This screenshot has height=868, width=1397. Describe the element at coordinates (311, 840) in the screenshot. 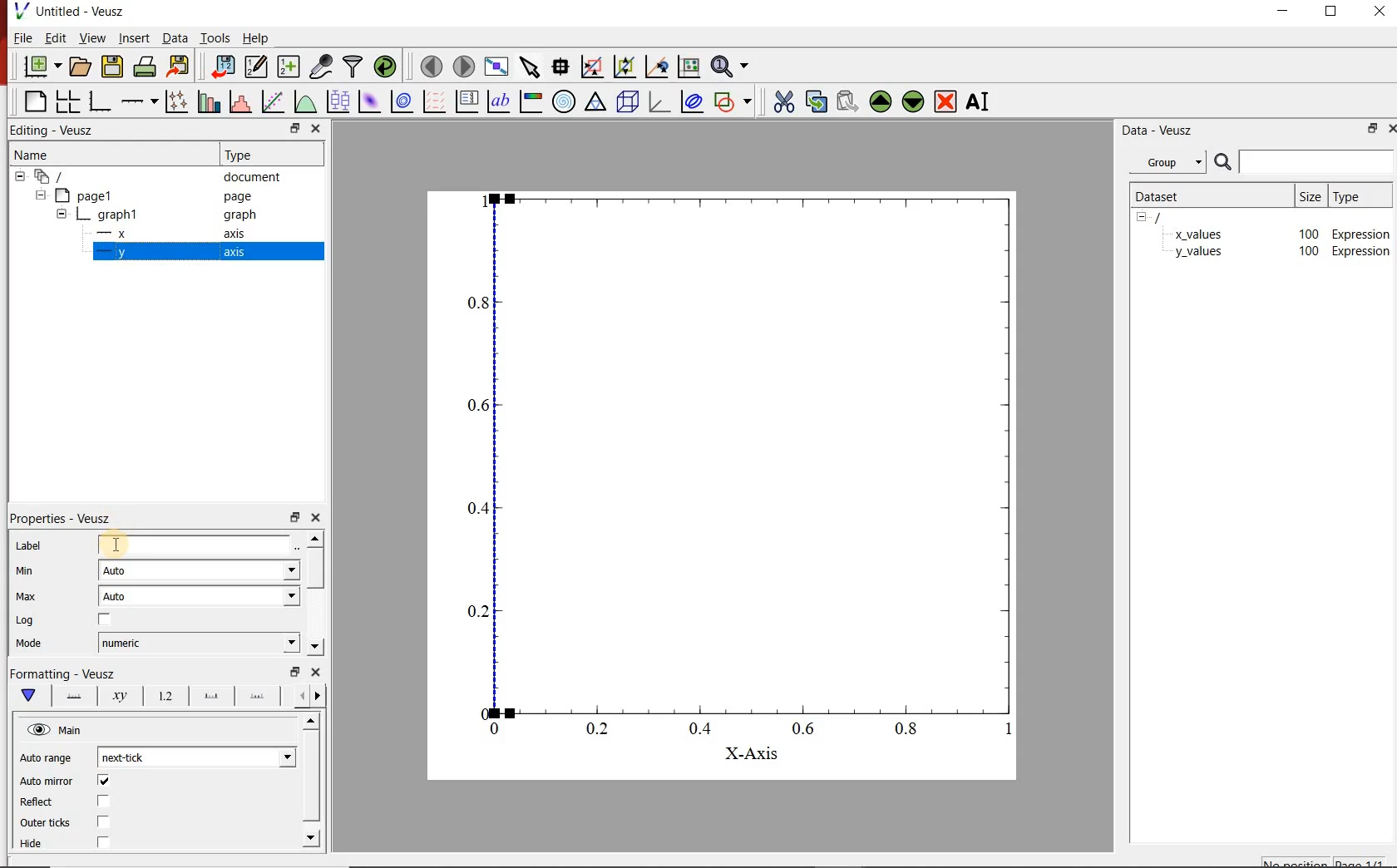

I see `move down` at that location.